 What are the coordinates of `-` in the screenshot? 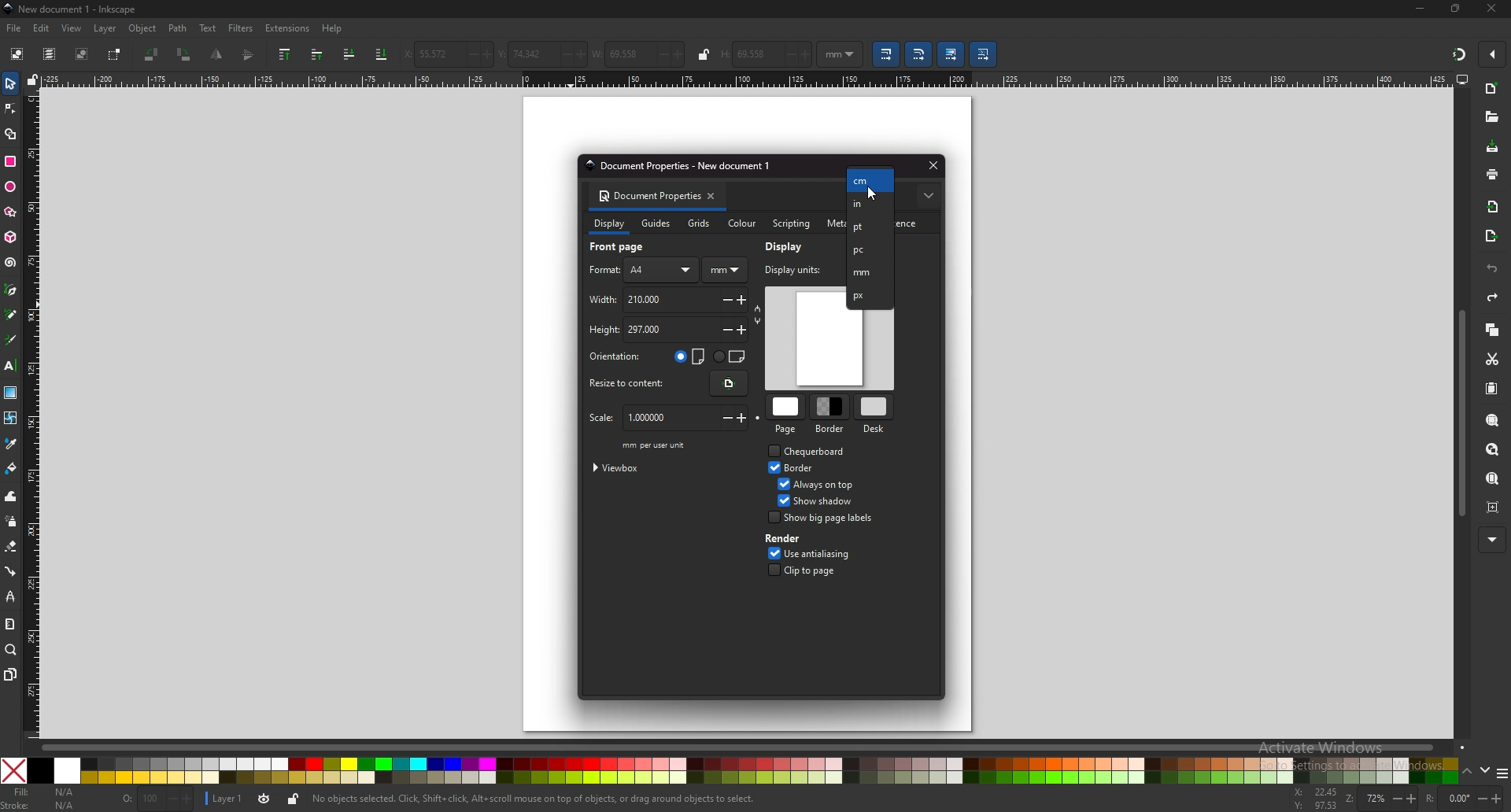 It's located at (659, 55).